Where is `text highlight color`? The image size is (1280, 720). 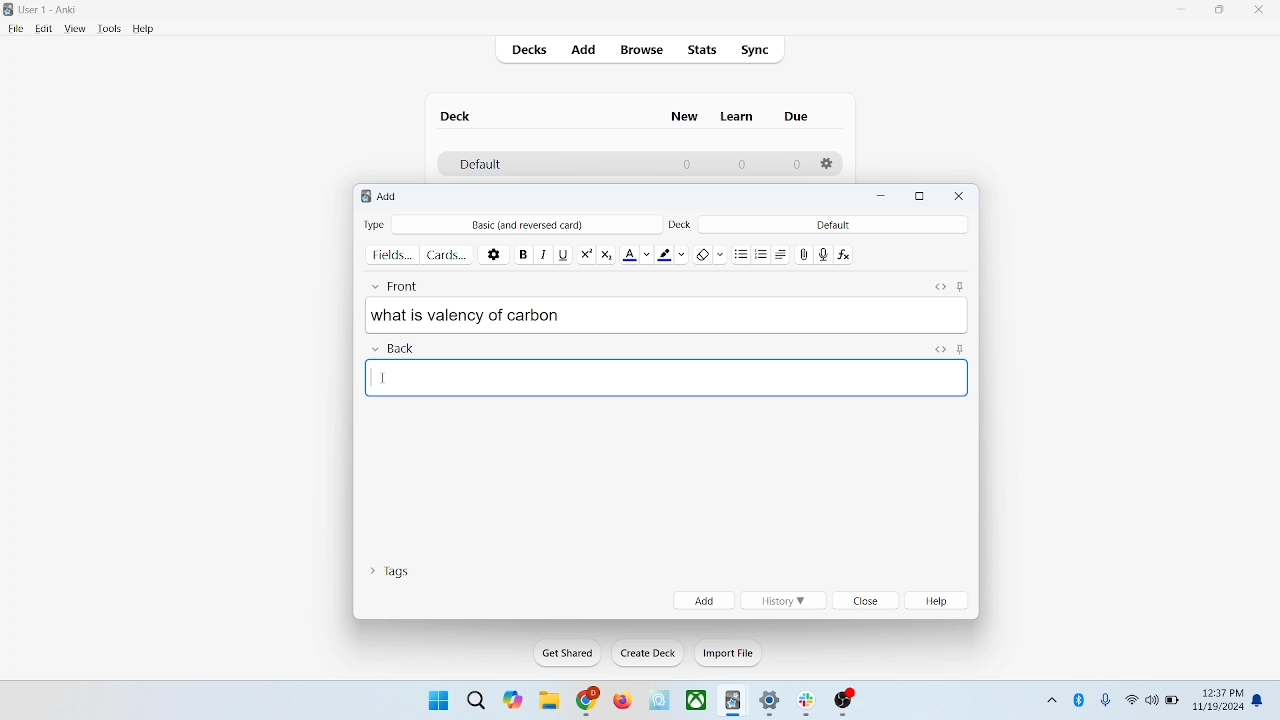 text highlight color is located at coordinates (676, 253).